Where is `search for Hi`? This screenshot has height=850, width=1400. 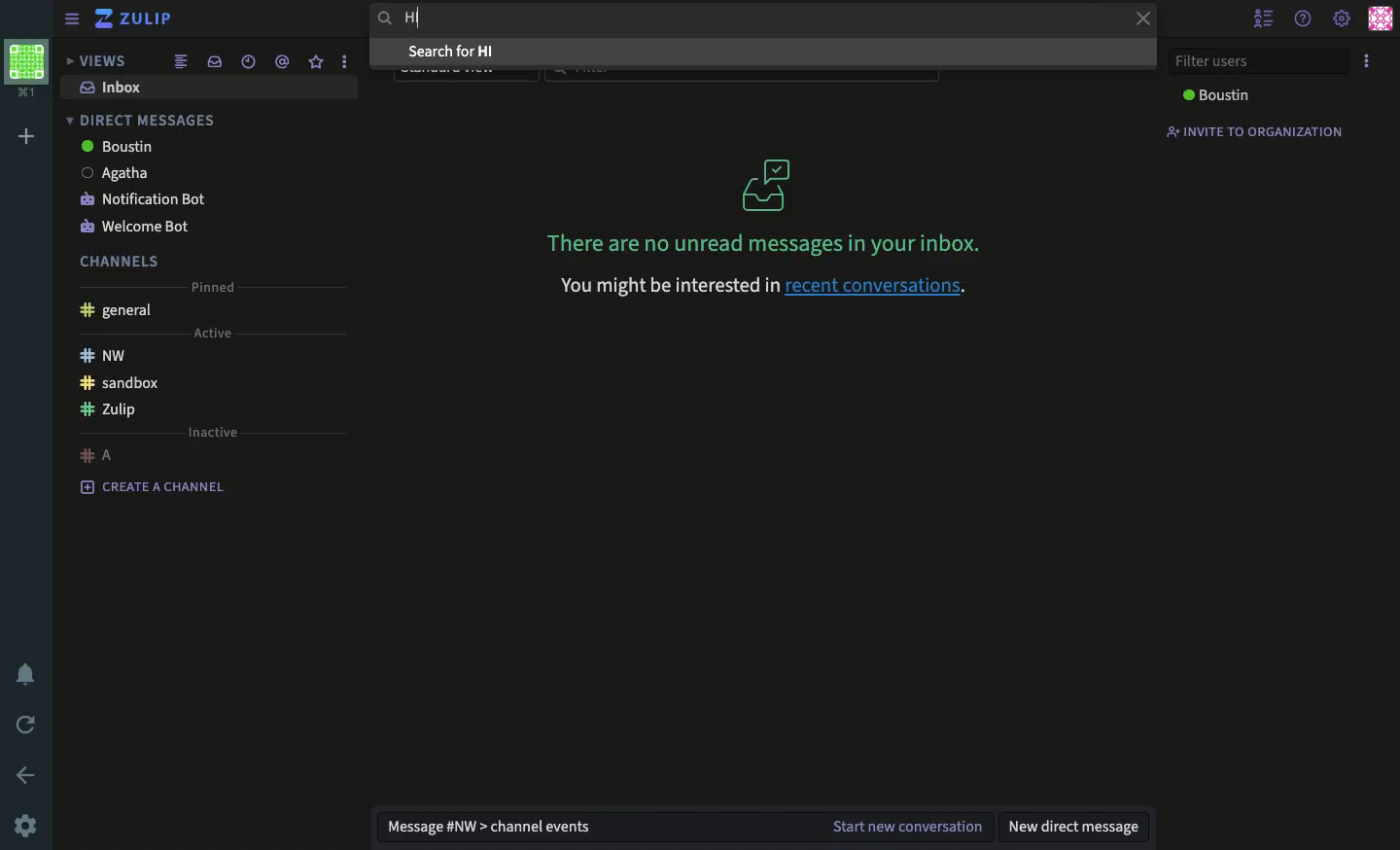
search for Hi is located at coordinates (534, 52).